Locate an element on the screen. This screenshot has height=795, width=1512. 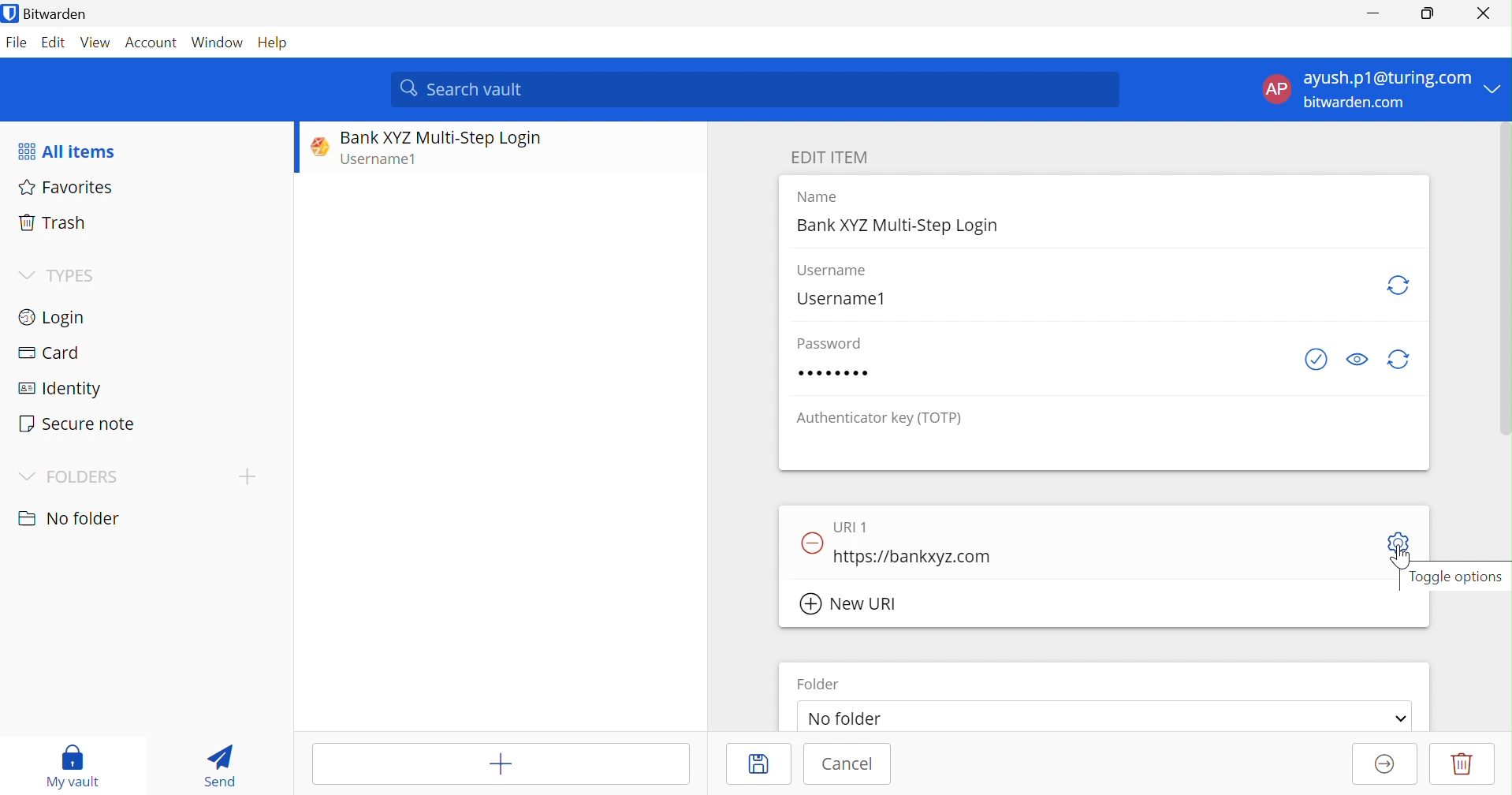
Search vault is located at coordinates (758, 88).